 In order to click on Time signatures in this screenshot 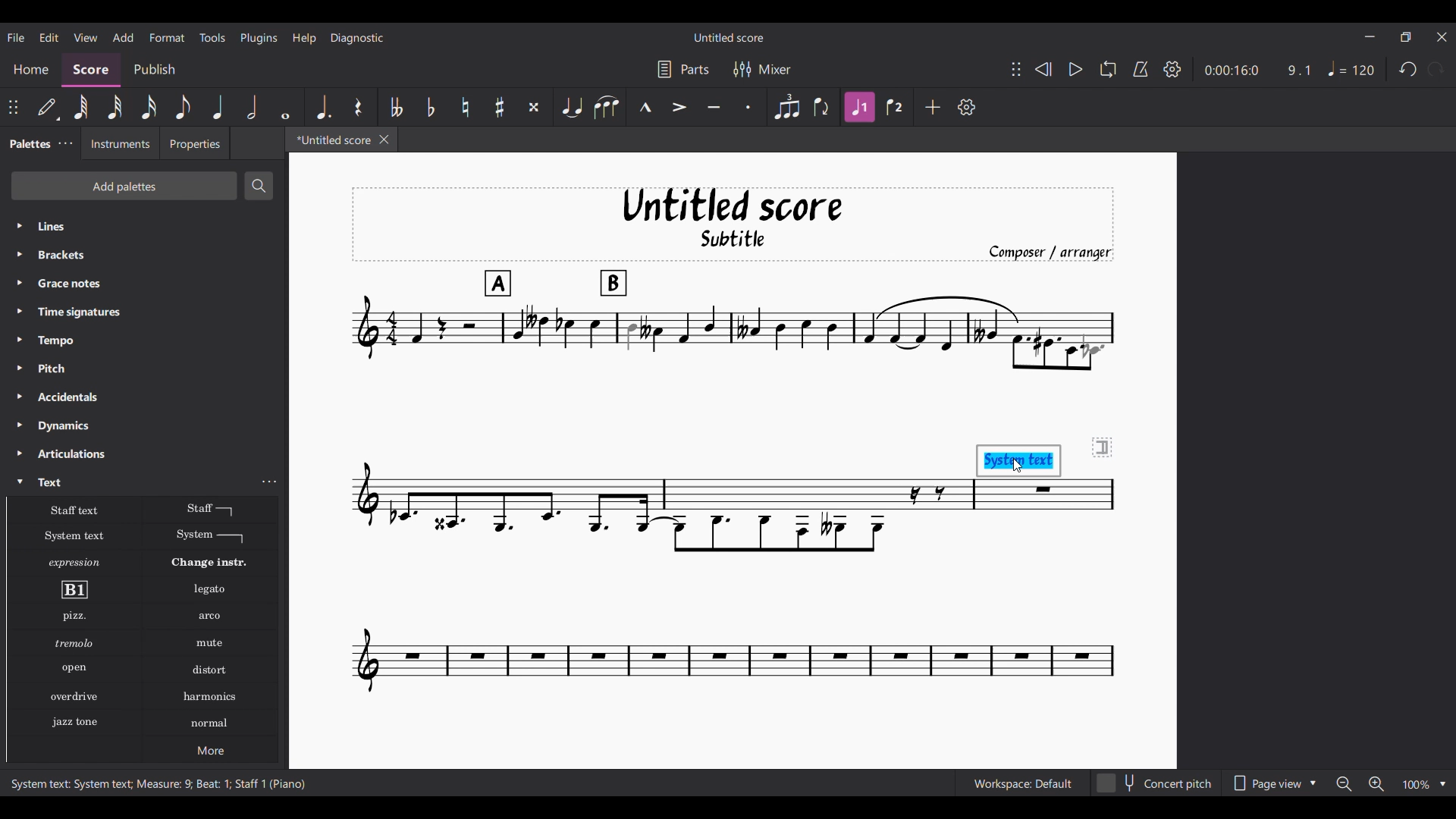, I will do `click(145, 312)`.